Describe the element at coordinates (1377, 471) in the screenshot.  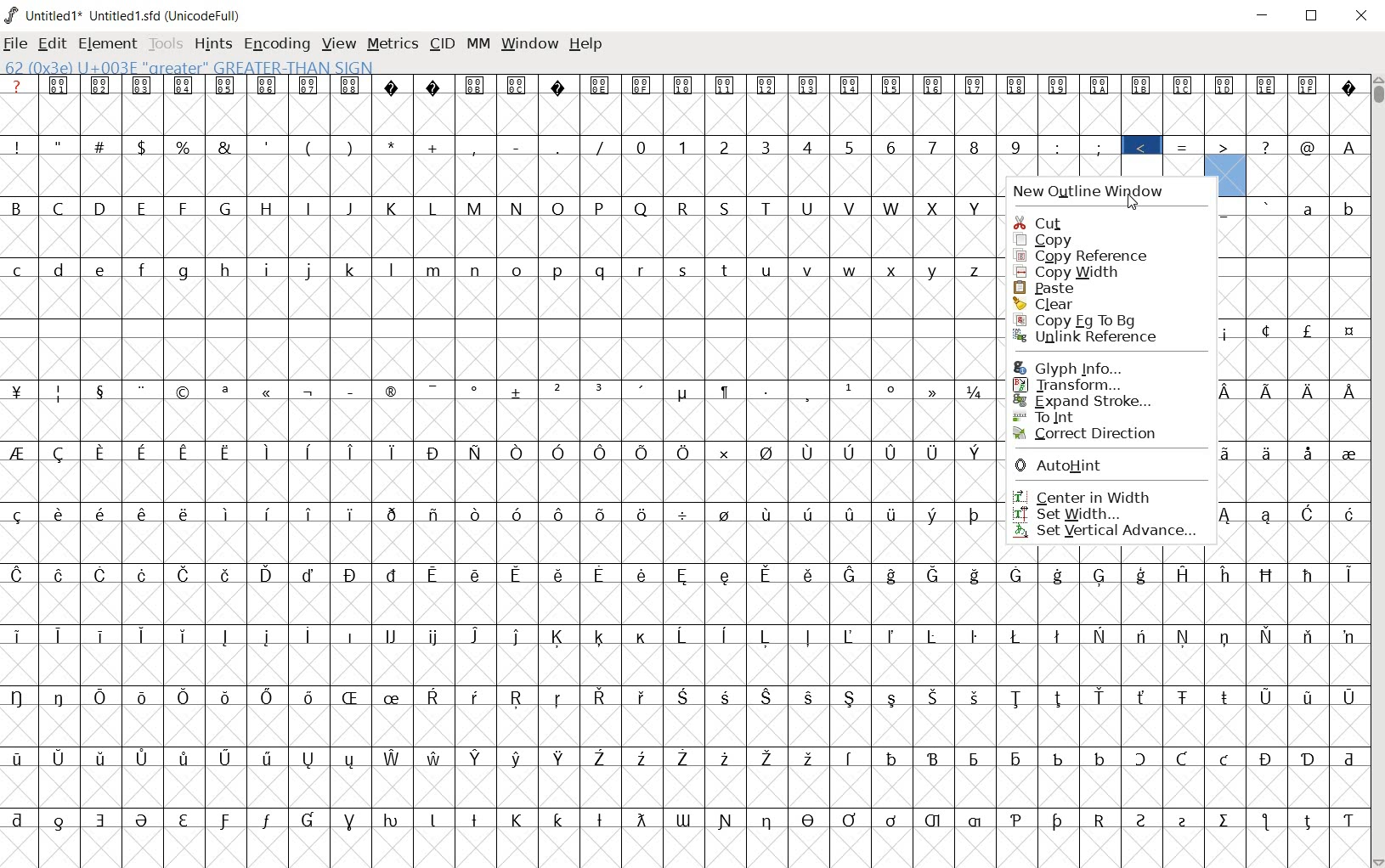
I see `scrollbar` at that location.